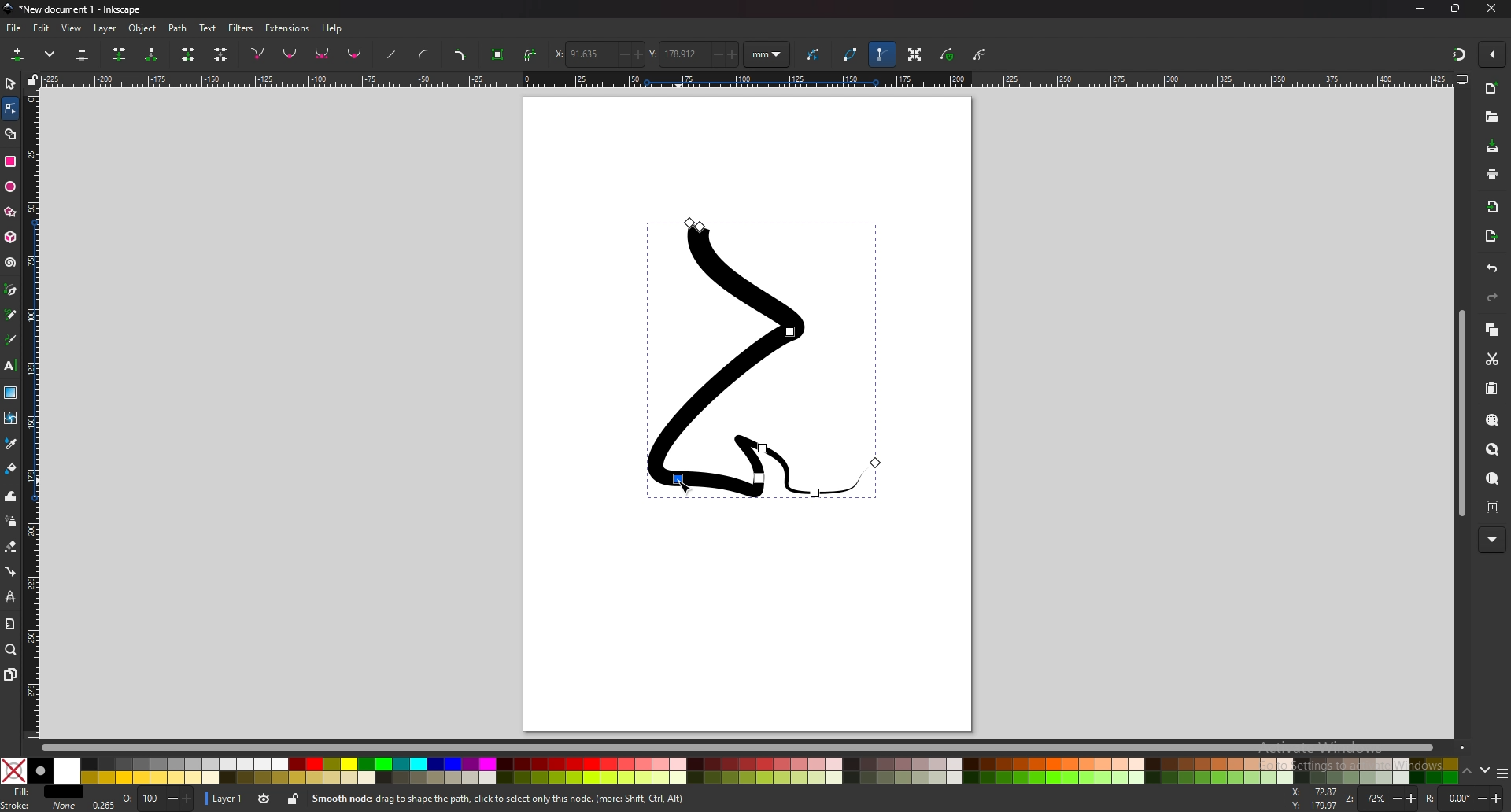 The height and width of the screenshot is (812, 1511). I want to click on units, so click(768, 55).